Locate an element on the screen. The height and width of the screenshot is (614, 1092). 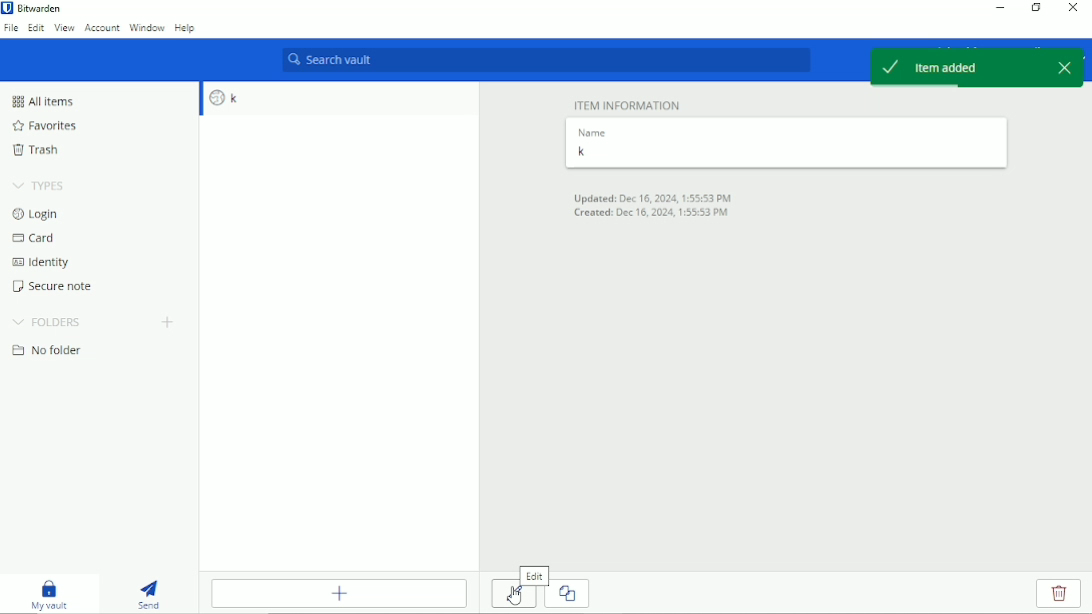
No folder is located at coordinates (49, 350).